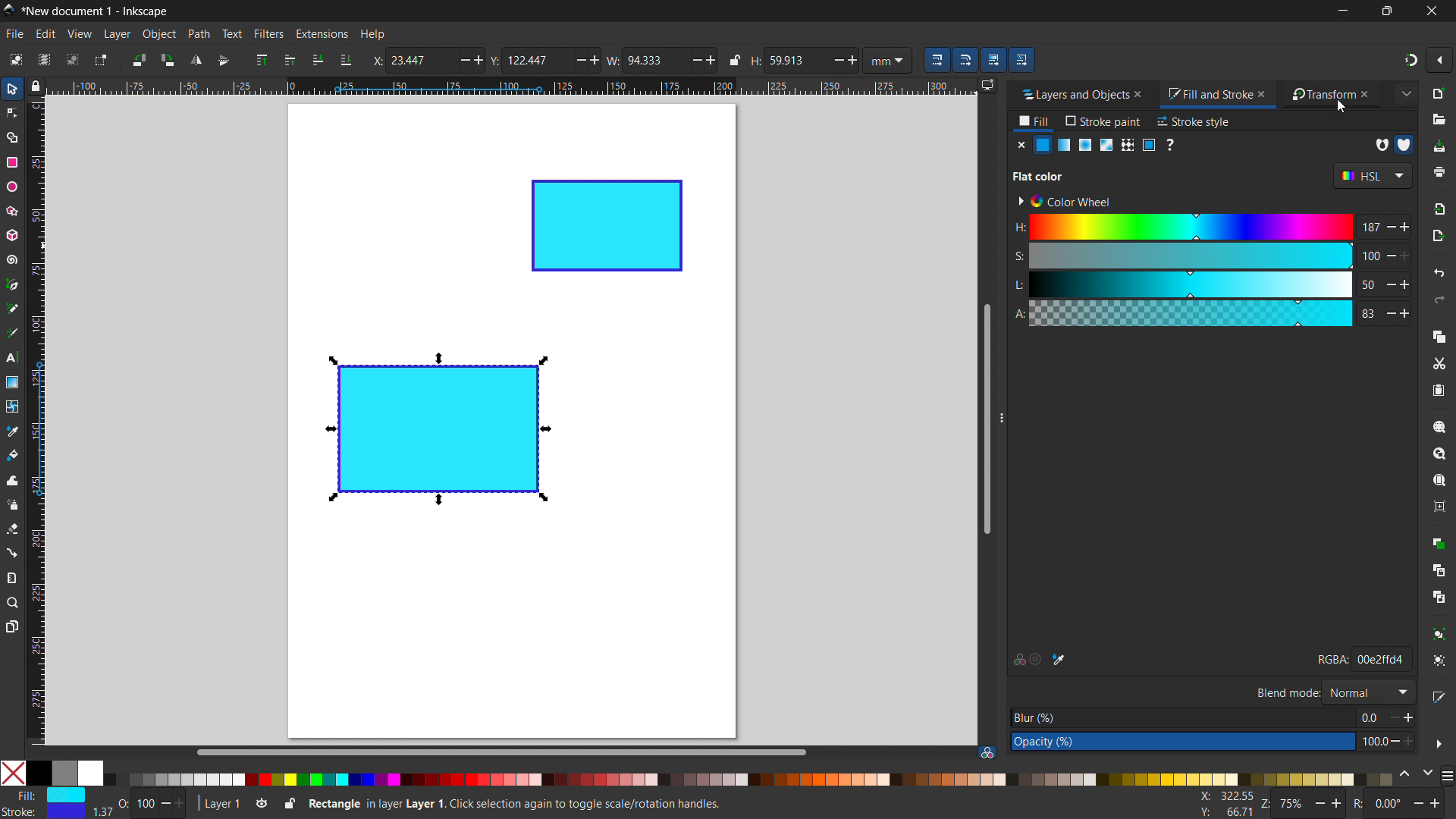 The image size is (1456, 819). Describe the element at coordinates (1000, 419) in the screenshot. I see `resize` at that location.